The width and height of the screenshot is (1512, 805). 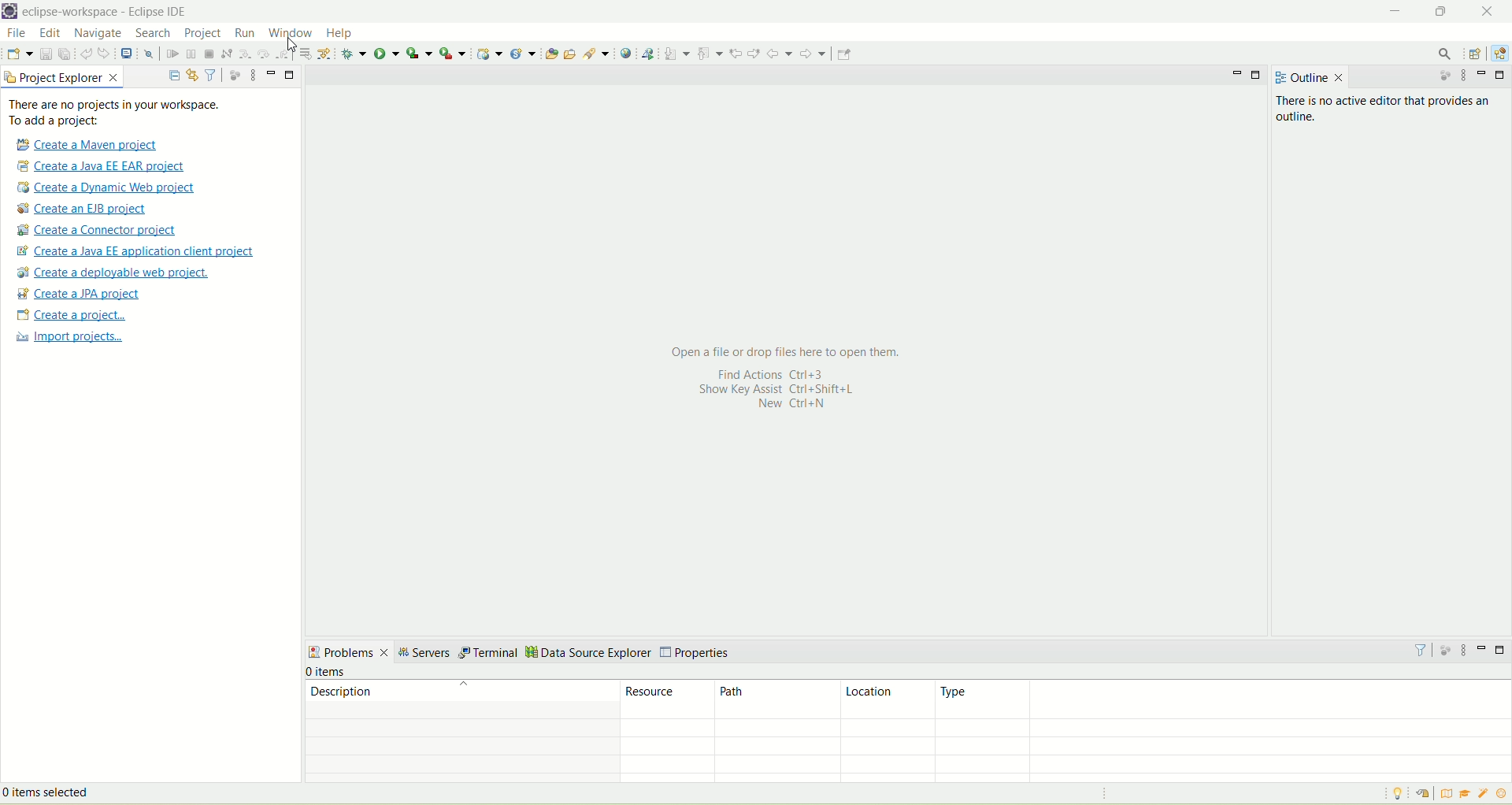 What do you see at coordinates (624, 53) in the screenshot?
I see `open web browser` at bounding box center [624, 53].